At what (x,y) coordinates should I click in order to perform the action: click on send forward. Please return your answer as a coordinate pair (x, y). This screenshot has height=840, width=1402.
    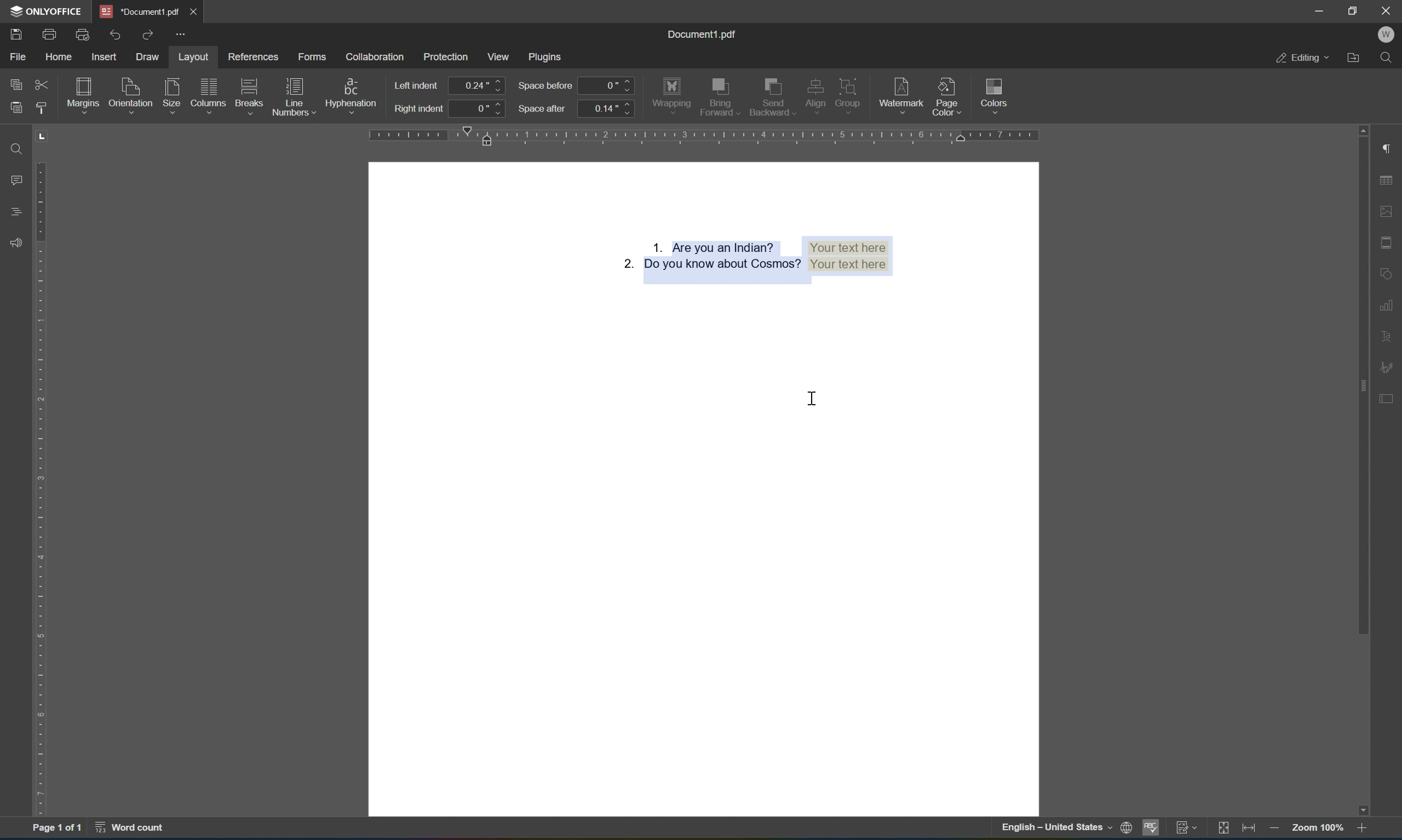
    Looking at the image, I should click on (721, 97).